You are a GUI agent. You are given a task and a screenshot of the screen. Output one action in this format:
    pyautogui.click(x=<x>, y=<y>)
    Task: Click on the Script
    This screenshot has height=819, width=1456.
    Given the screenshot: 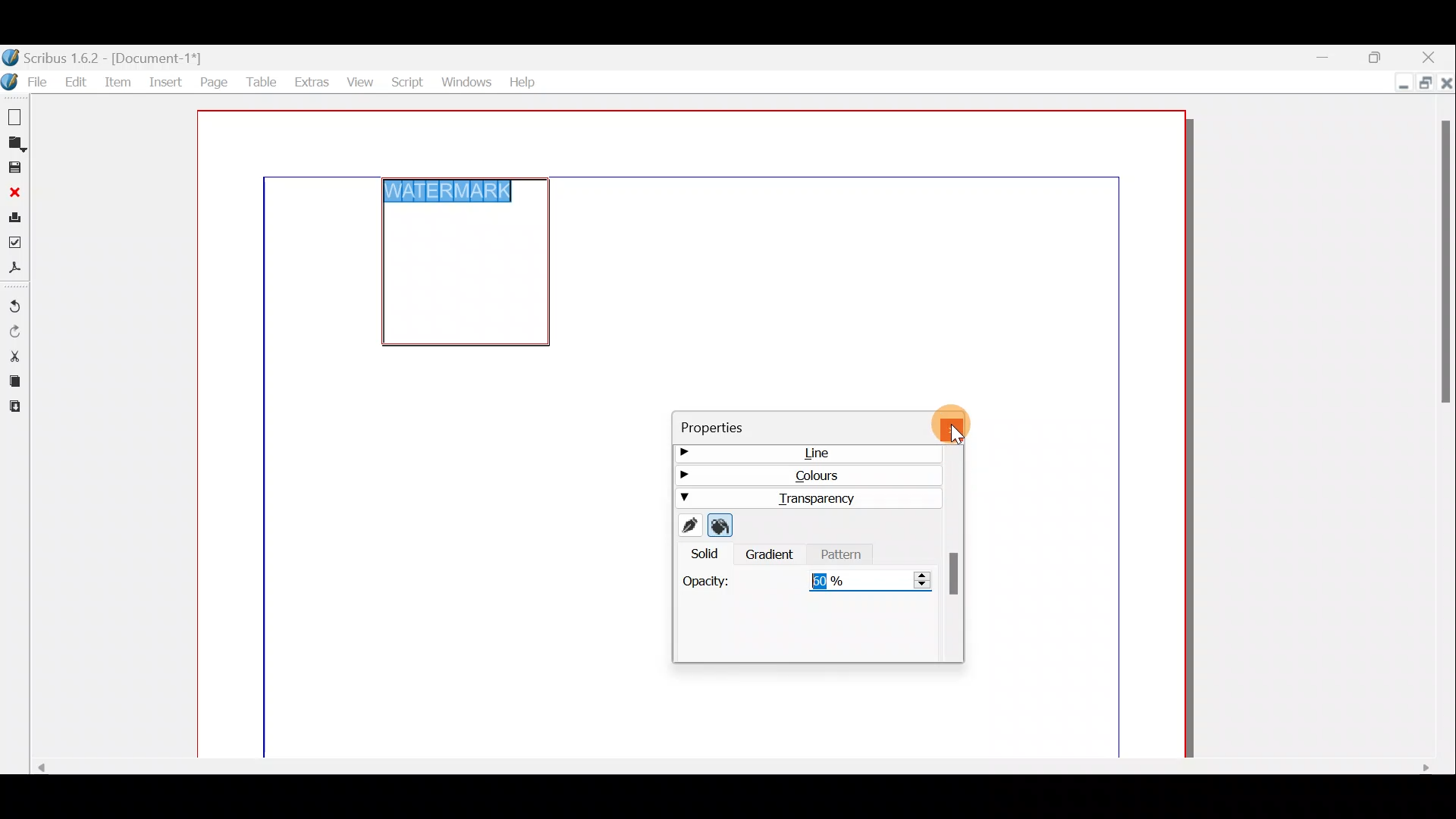 What is the action you would take?
    pyautogui.click(x=409, y=80)
    